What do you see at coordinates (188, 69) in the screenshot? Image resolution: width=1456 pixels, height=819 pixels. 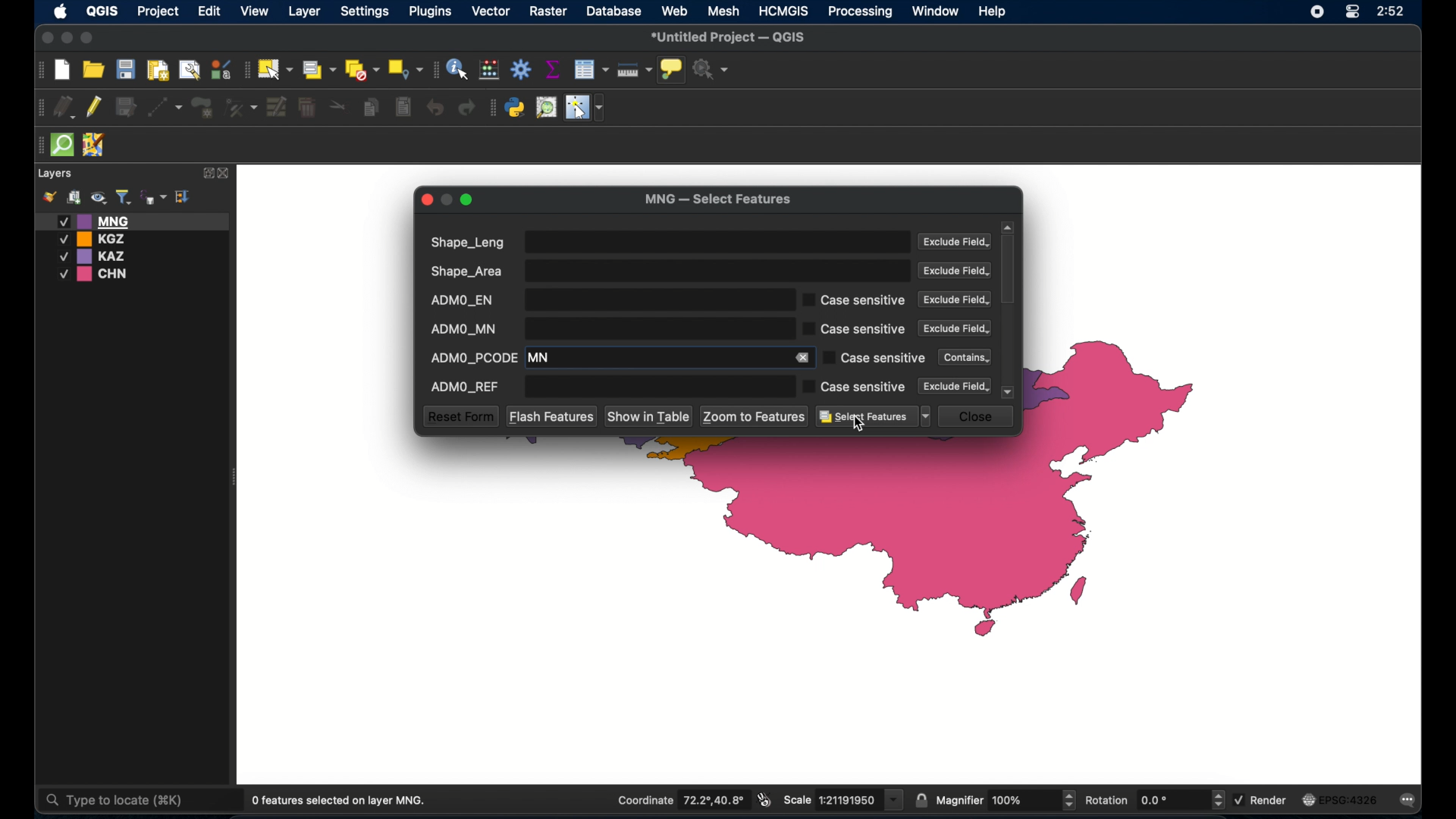 I see `open layout manager` at bounding box center [188, 69].